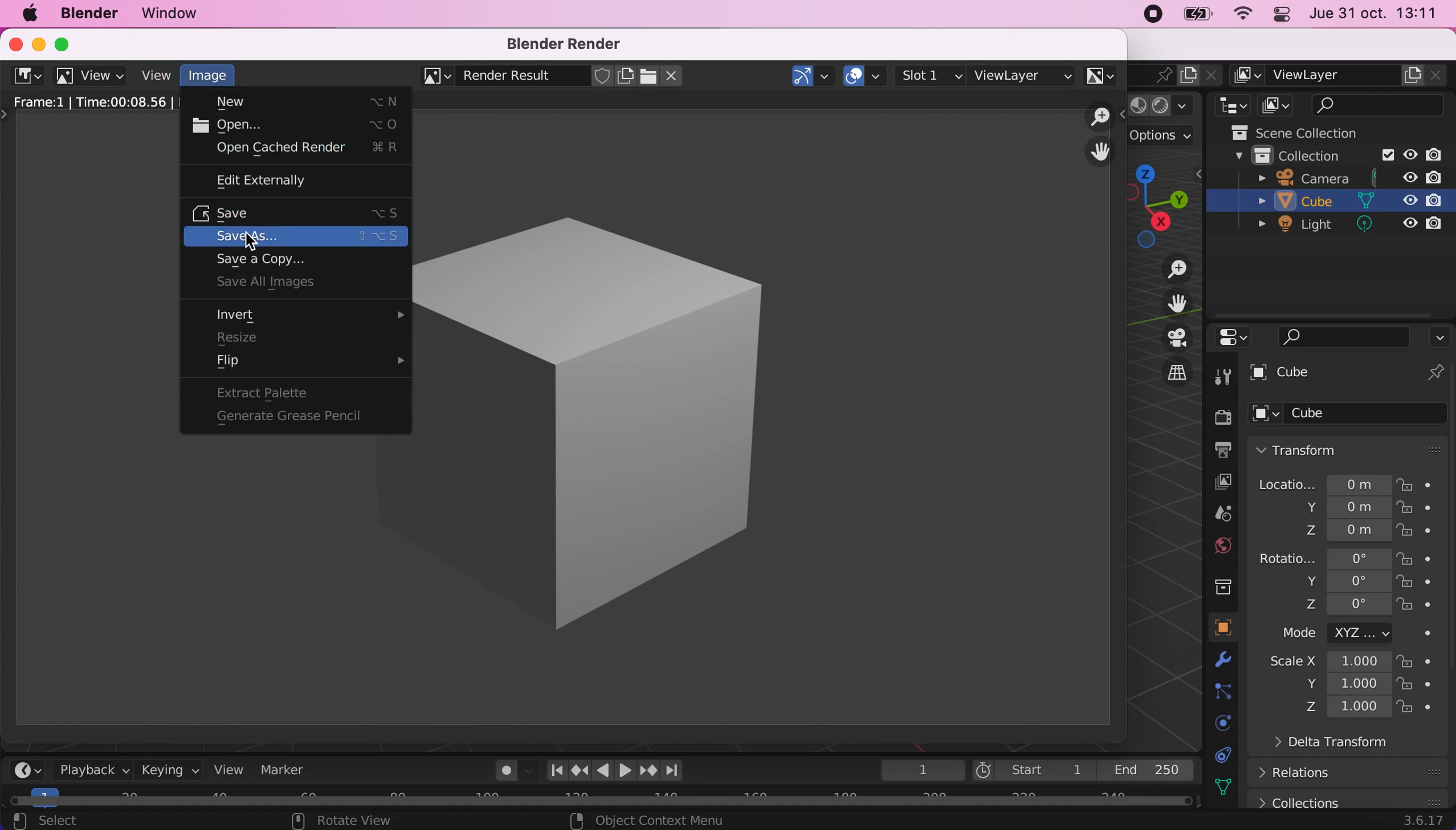 This screenshot has height=830, width=1456. Describe the element at coordinates (746, 416) in the screenshot. I see `exported image` at that location.